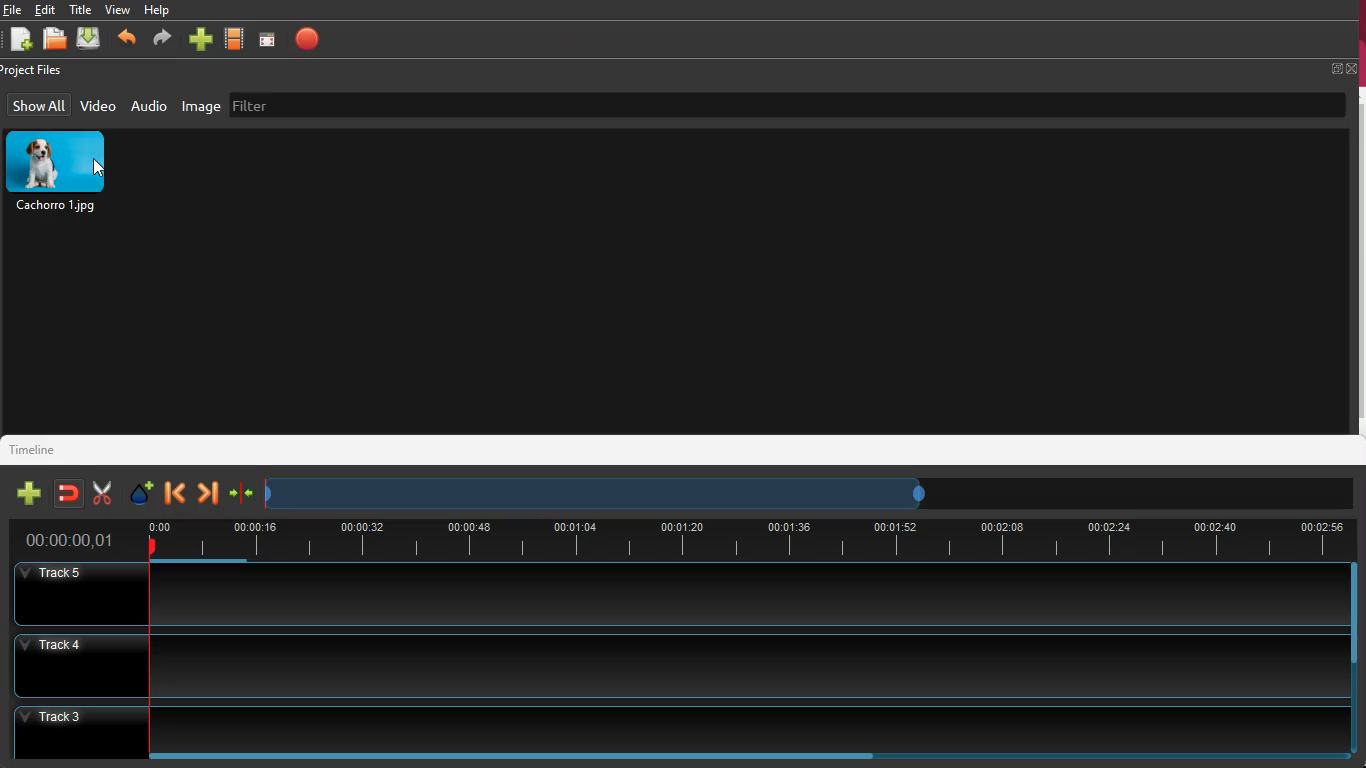 This screenshot has height=768, width=1366. I want to click on forward, so click(207, 493).